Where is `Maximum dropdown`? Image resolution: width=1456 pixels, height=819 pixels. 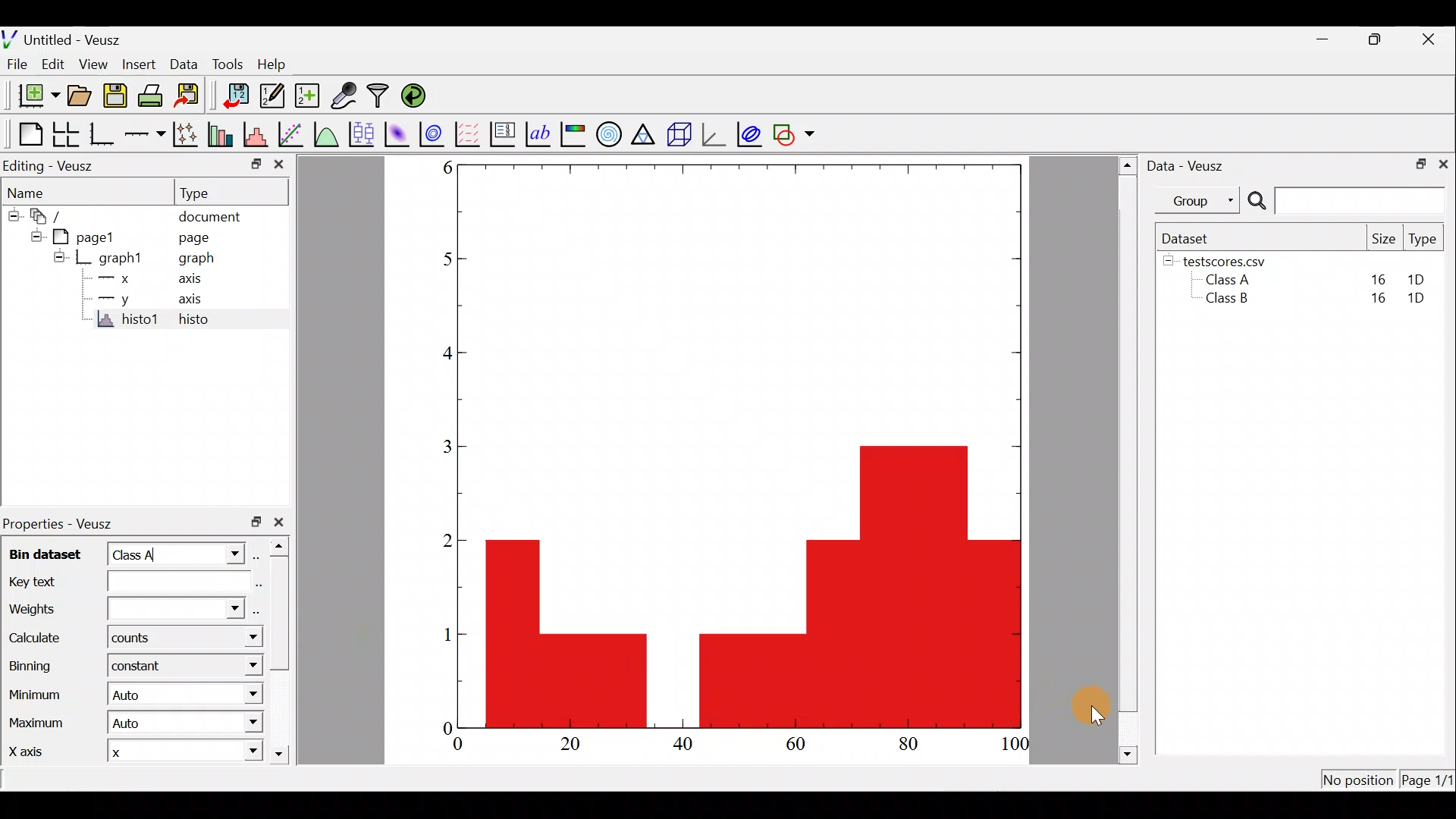
Maximum dropdown is located at coordinates (247, 723).